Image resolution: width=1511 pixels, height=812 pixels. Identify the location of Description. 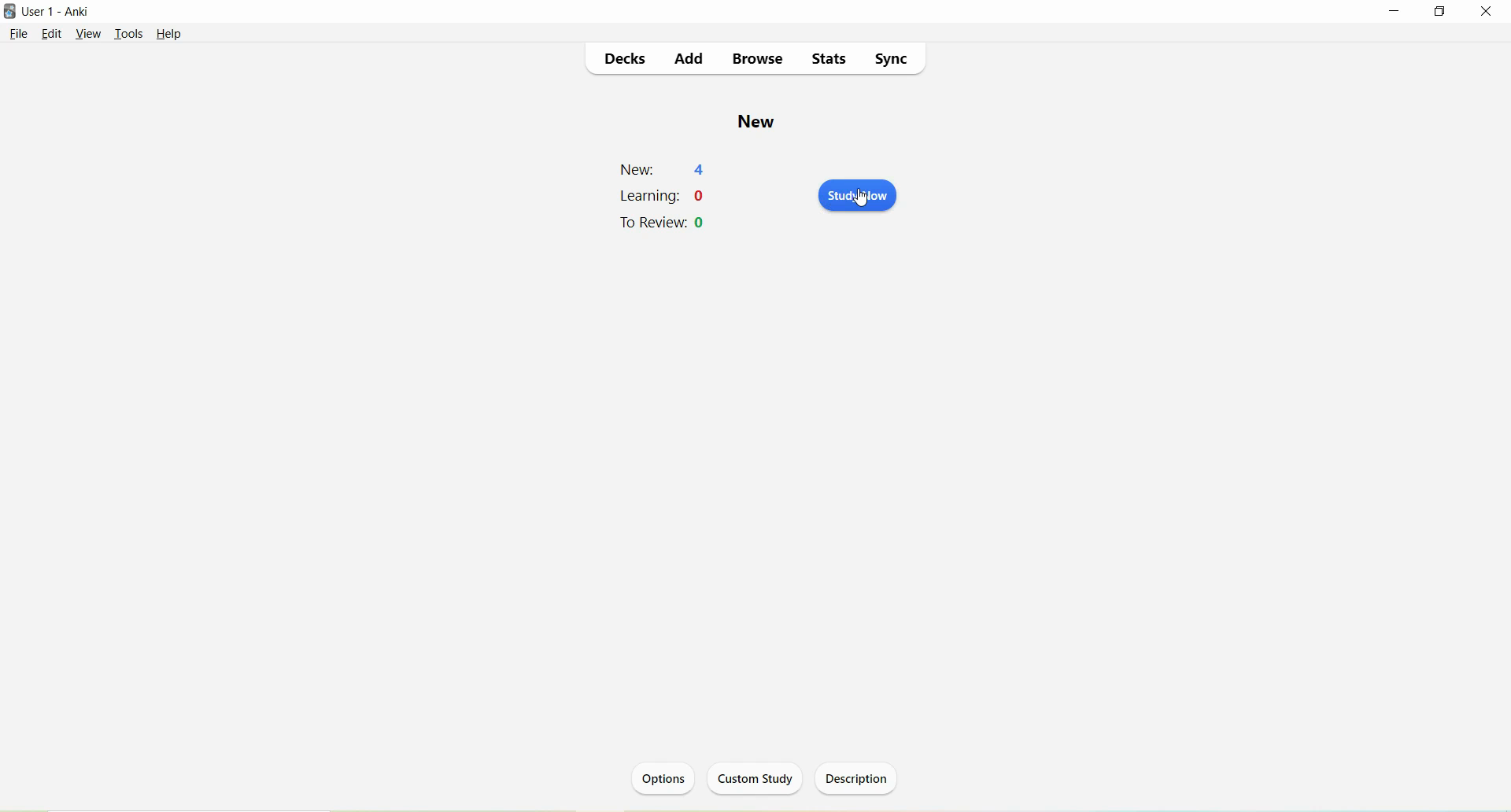
(859, 777).